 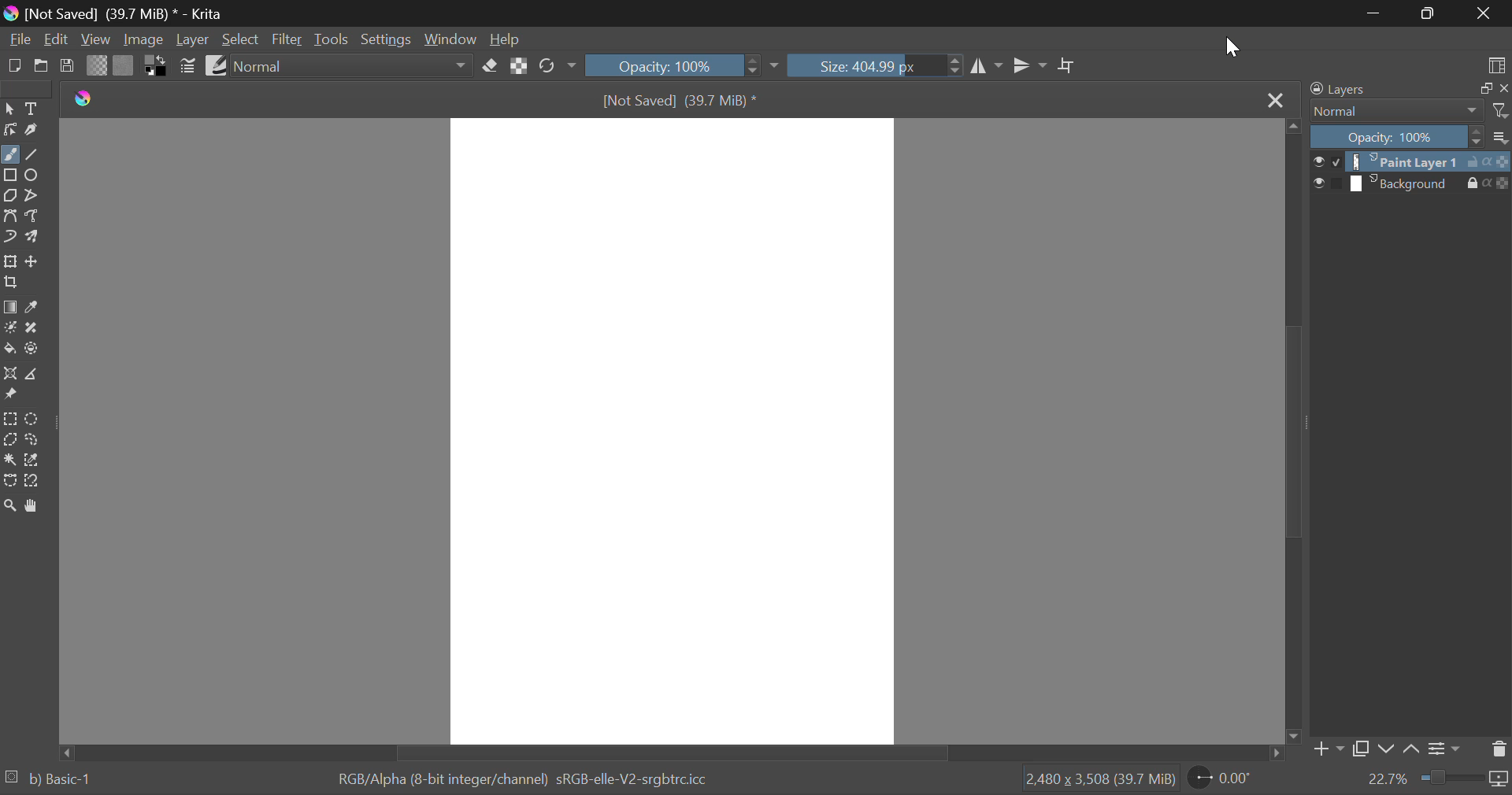 I want to click on Dynamic Brush, so click(x=9, y=237).